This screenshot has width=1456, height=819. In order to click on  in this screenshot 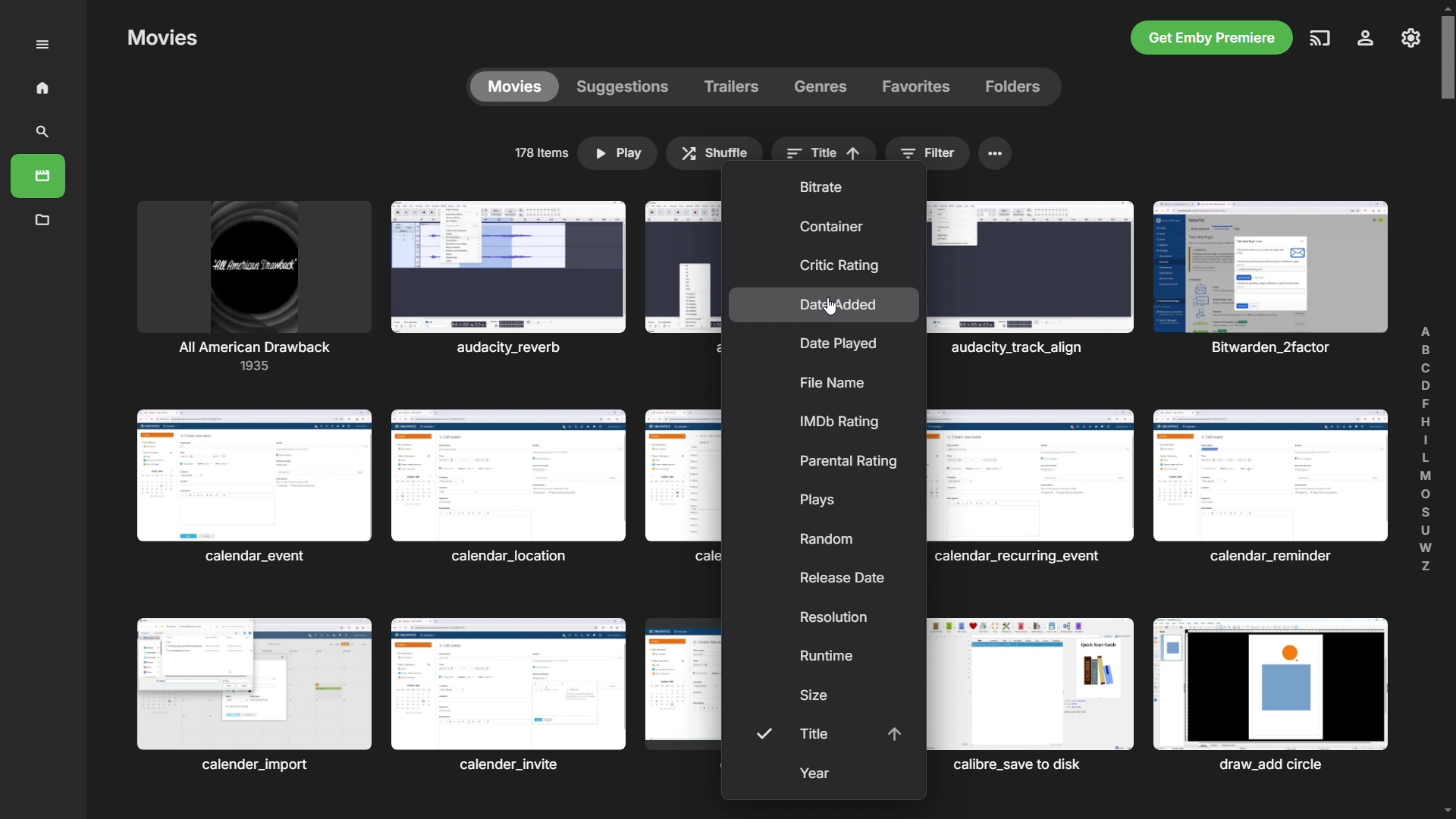, I will do `click(1274, 279)`.